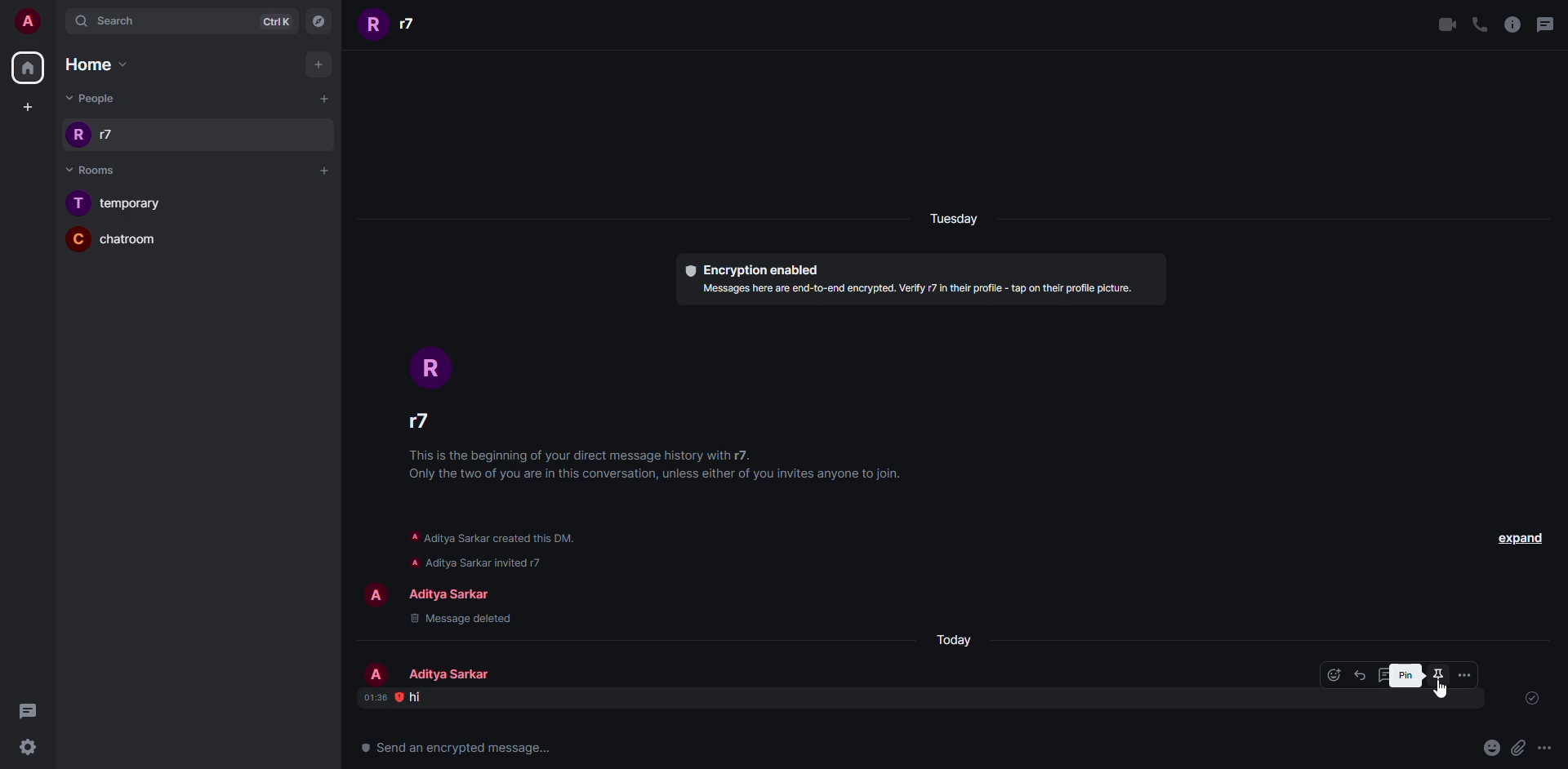 The image size is (1568, 769). I want to click on add, so click(322, 168).